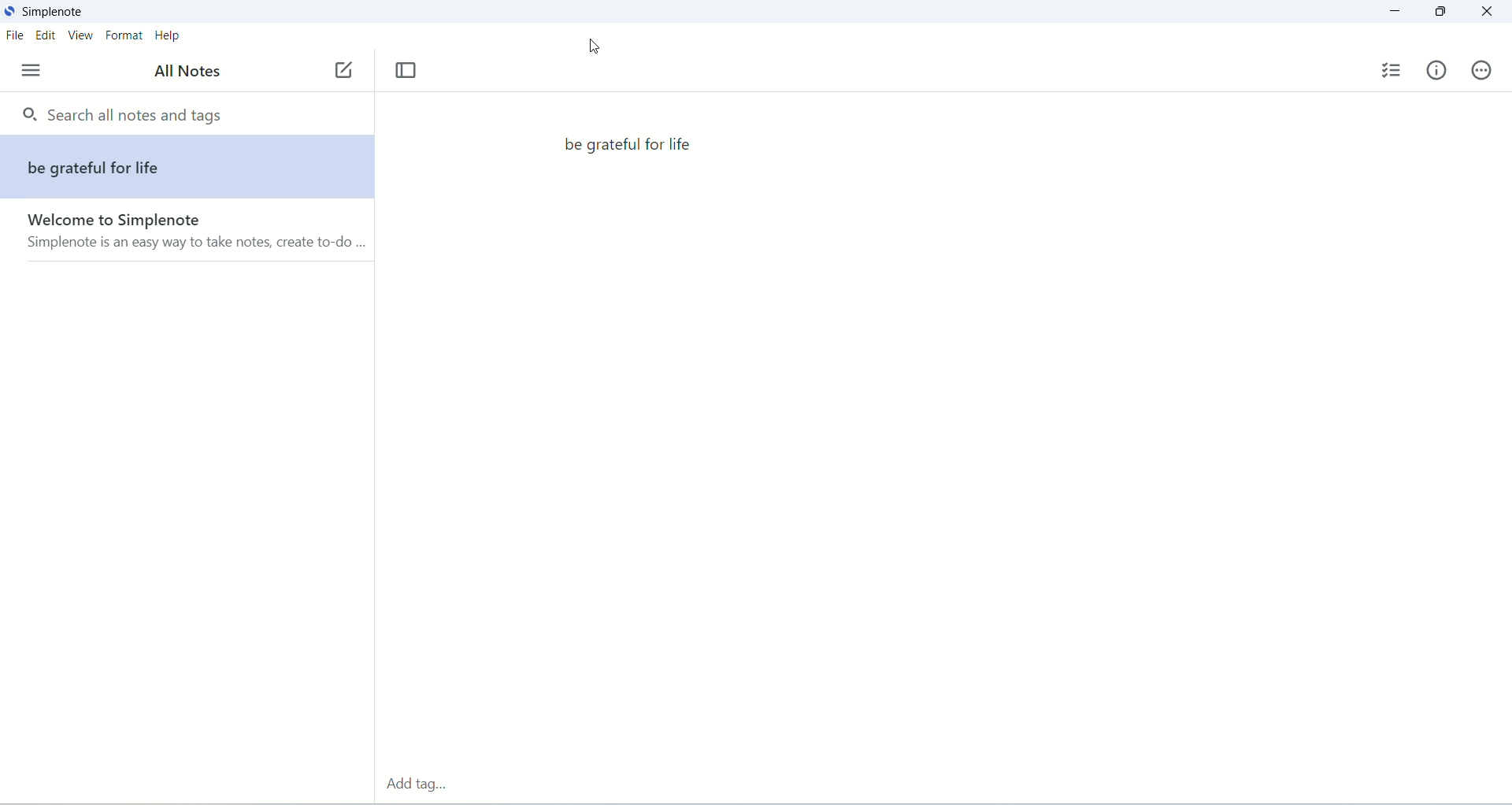 The width and height of the screenshot is (1512, 805). I want to click on view, so click(80, 36).